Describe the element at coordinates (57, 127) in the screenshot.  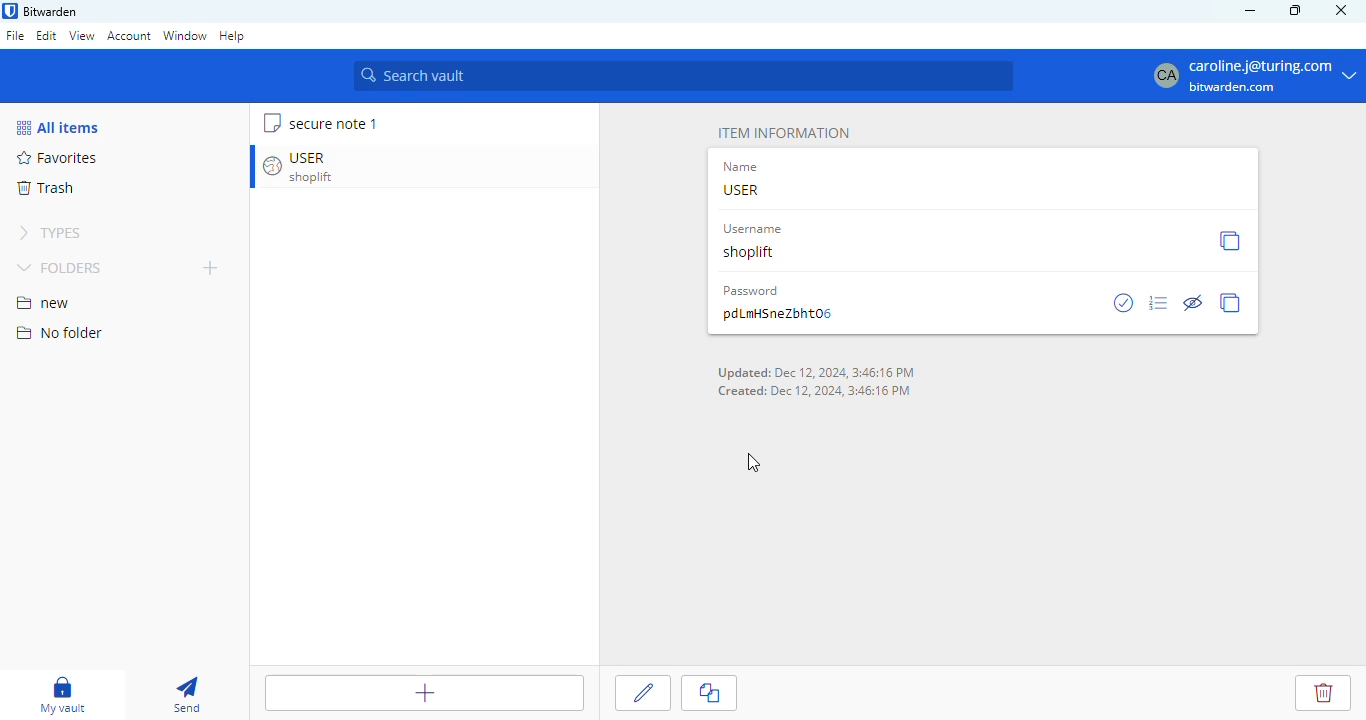
I see `all items` at that location.